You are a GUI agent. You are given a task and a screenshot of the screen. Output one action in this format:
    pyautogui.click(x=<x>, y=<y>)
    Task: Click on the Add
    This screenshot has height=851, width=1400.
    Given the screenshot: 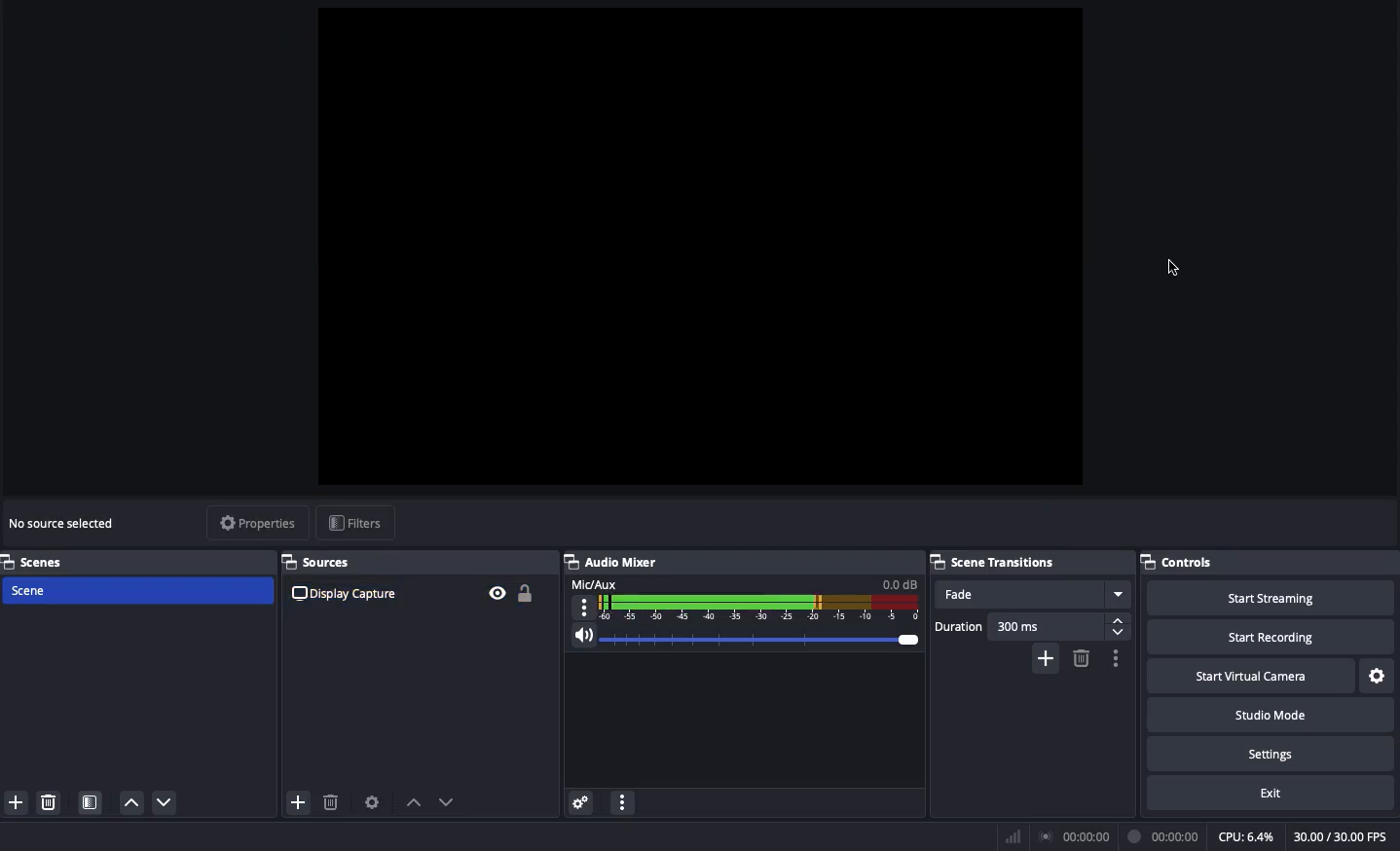 What is the action you would take?
    pyautogui.click(x=15, y=803)
    